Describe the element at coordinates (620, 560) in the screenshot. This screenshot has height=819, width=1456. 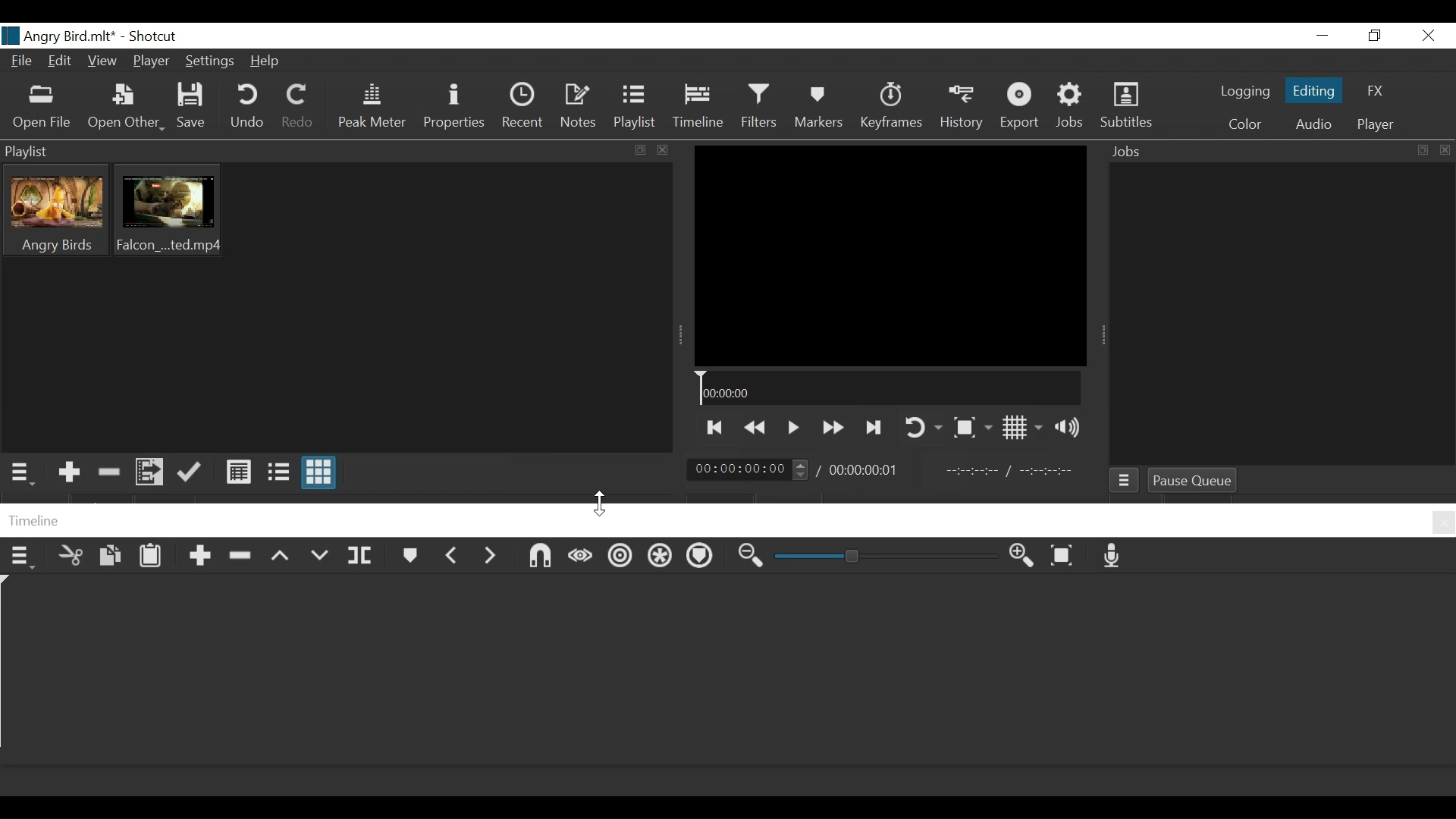
I see `Ripple ` at that location.